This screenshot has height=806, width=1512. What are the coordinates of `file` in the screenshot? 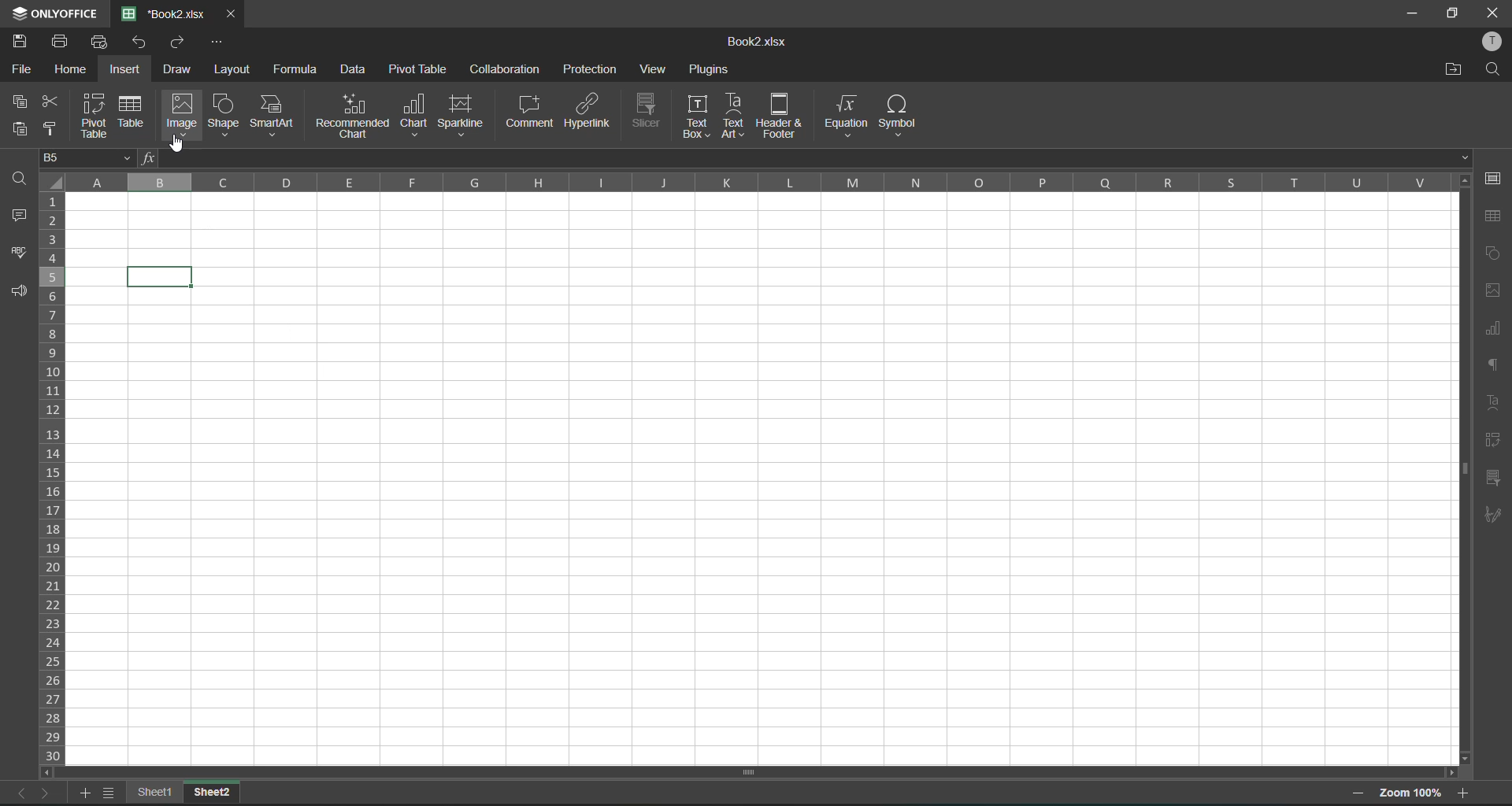 It's located at (20, 70).